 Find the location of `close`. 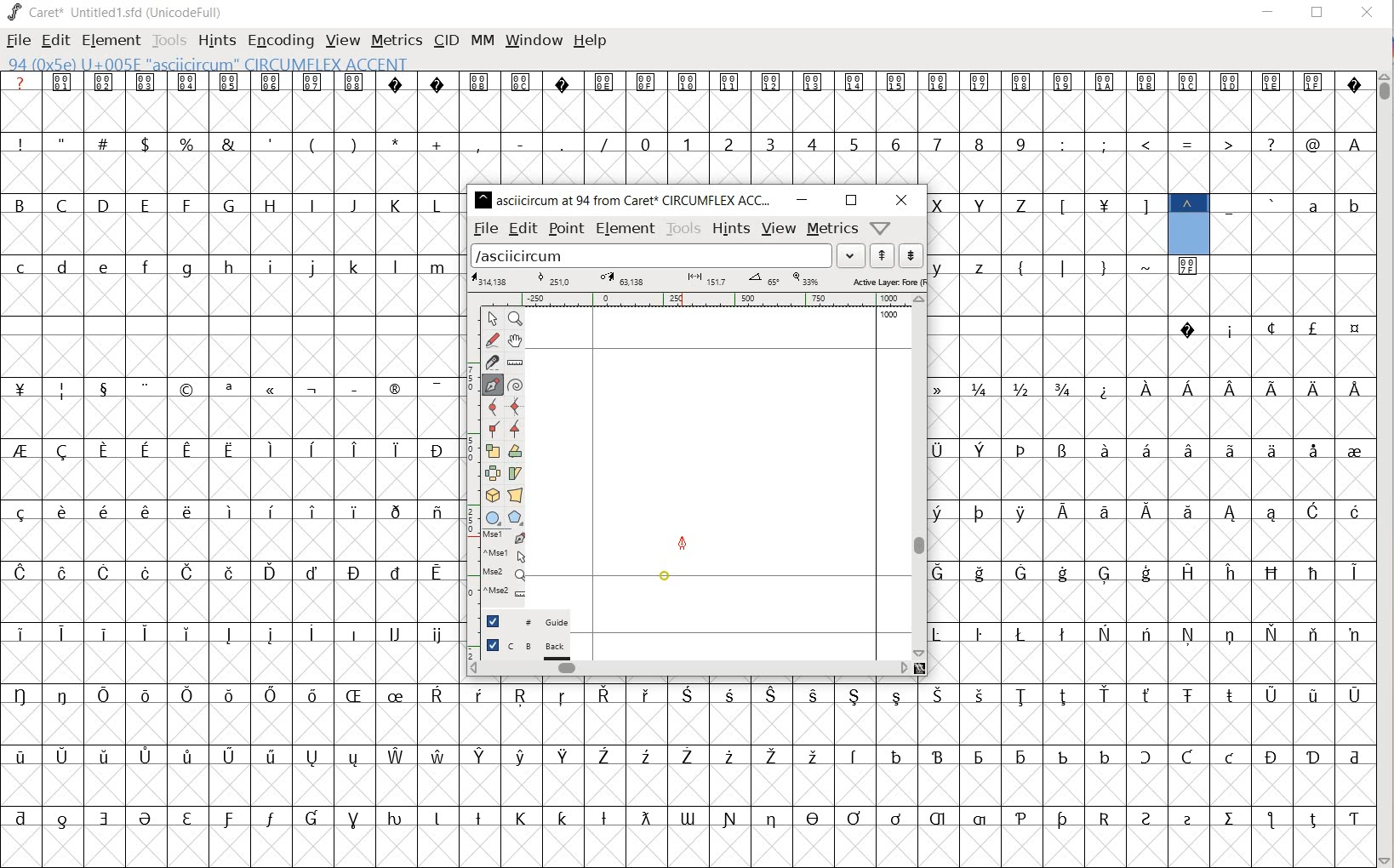

close is located at coordinates (901, 200).